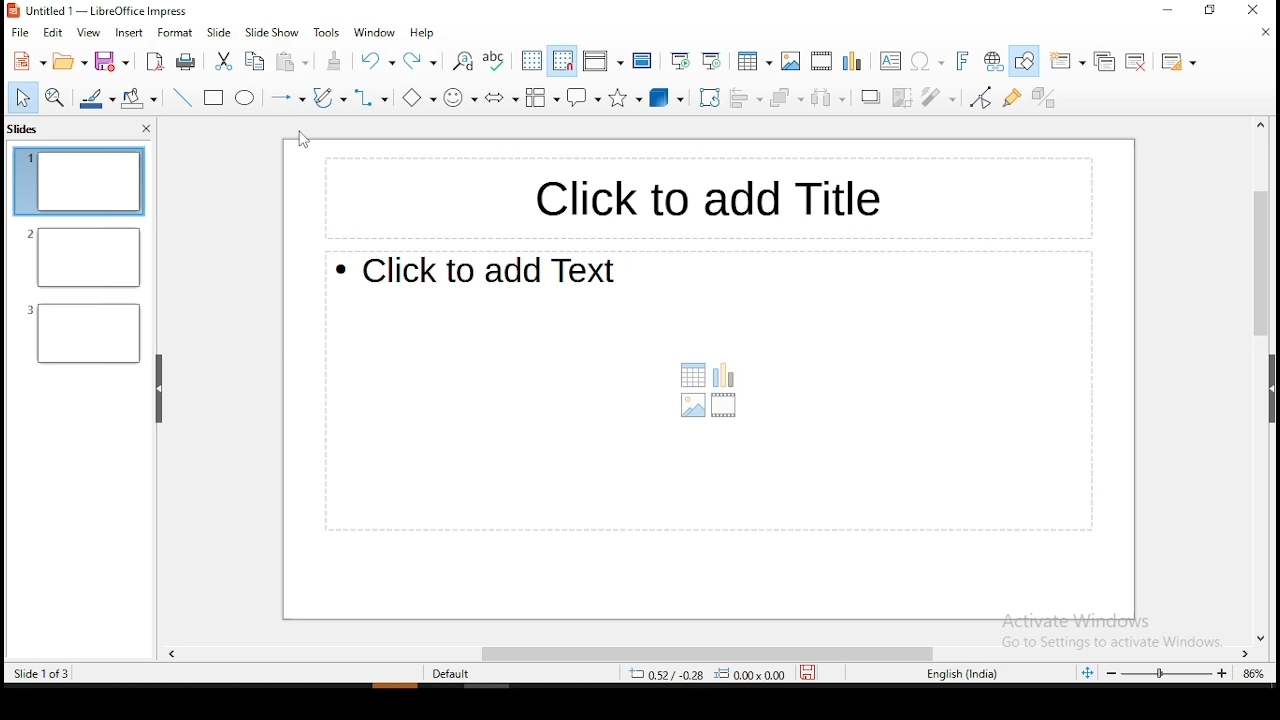  I want to click on callout shape, so click(586, 98).